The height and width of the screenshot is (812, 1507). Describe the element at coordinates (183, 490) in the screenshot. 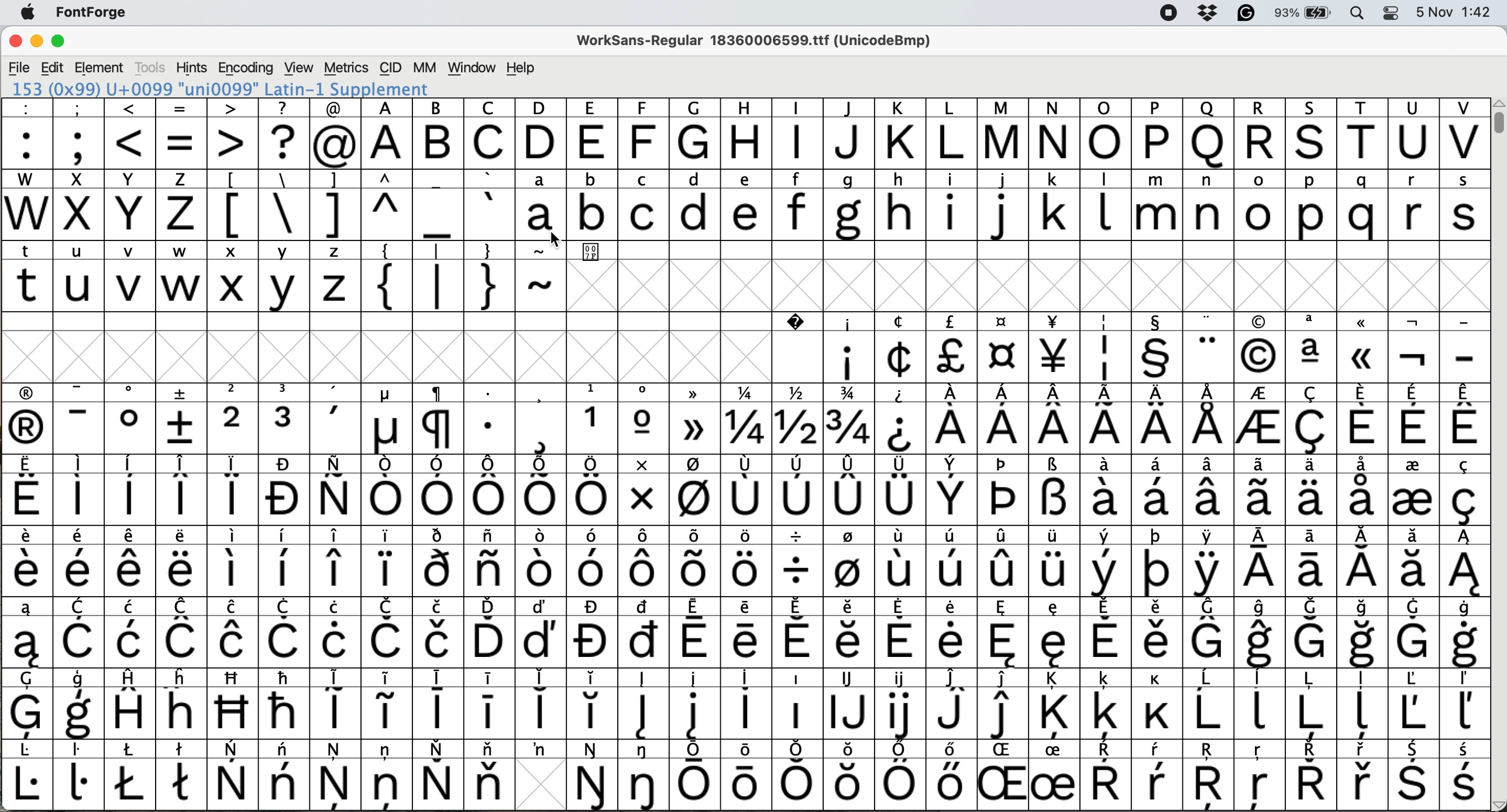

I see `symbol` at that location.